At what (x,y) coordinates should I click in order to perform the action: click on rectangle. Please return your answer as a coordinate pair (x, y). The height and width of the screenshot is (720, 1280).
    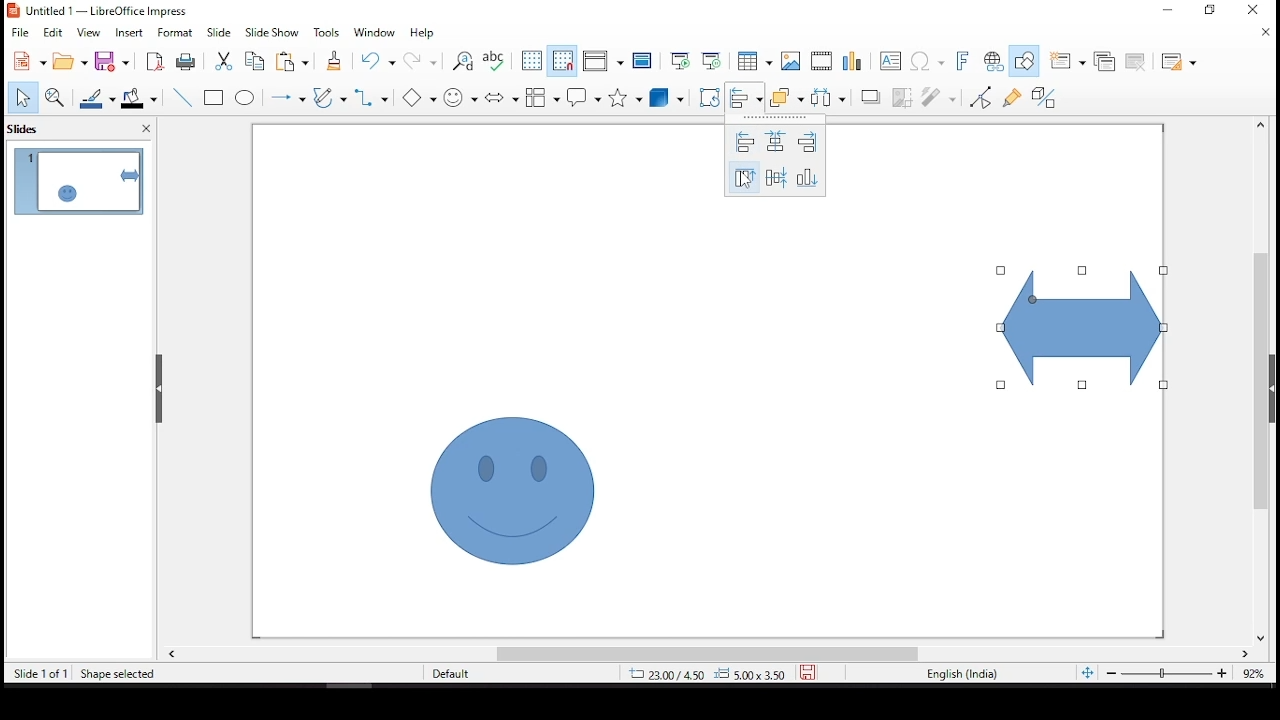
    Looking at the image, I should click on (216, 99).